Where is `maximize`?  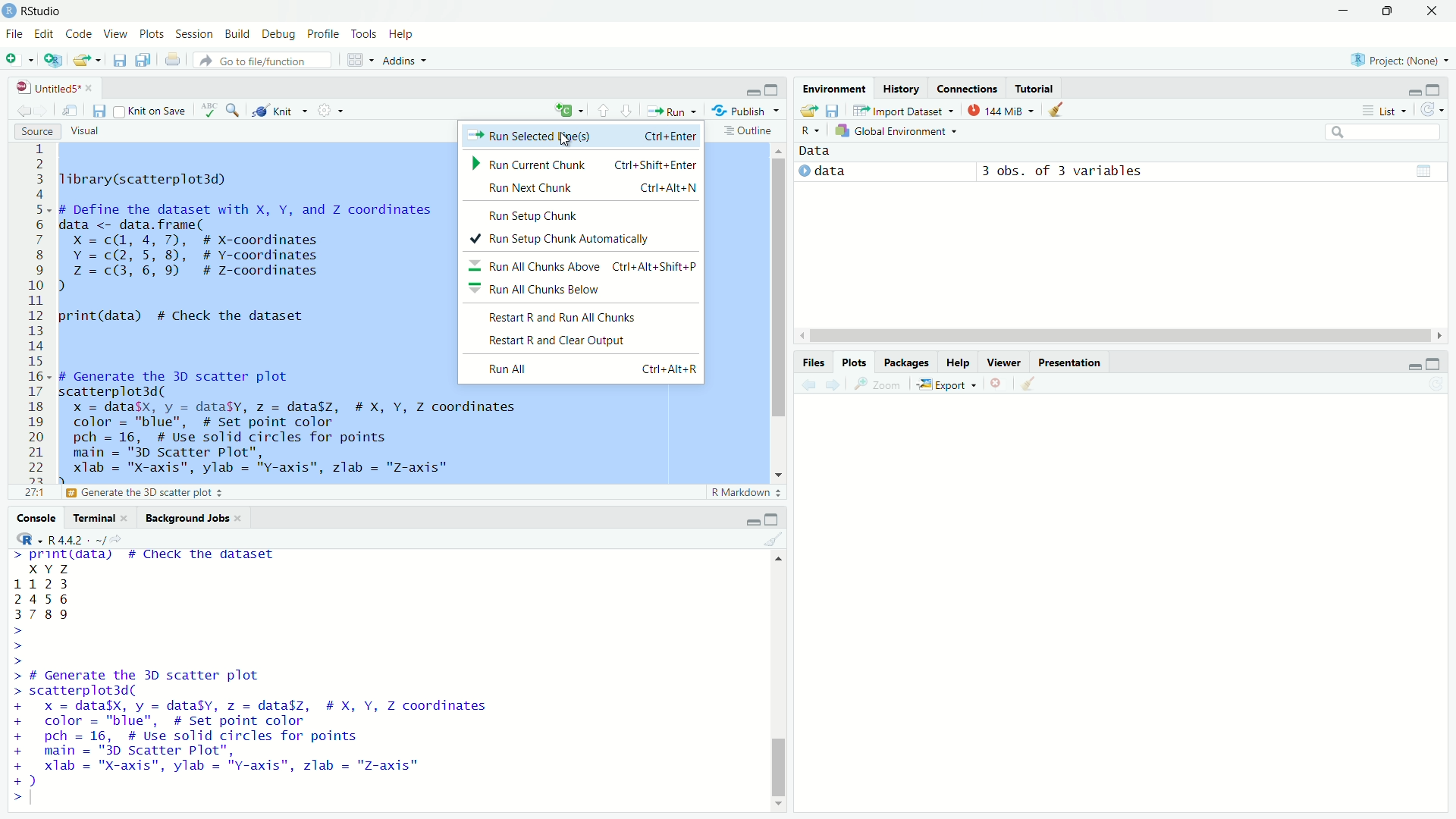
maximize is located at coordinates (1441, 88).